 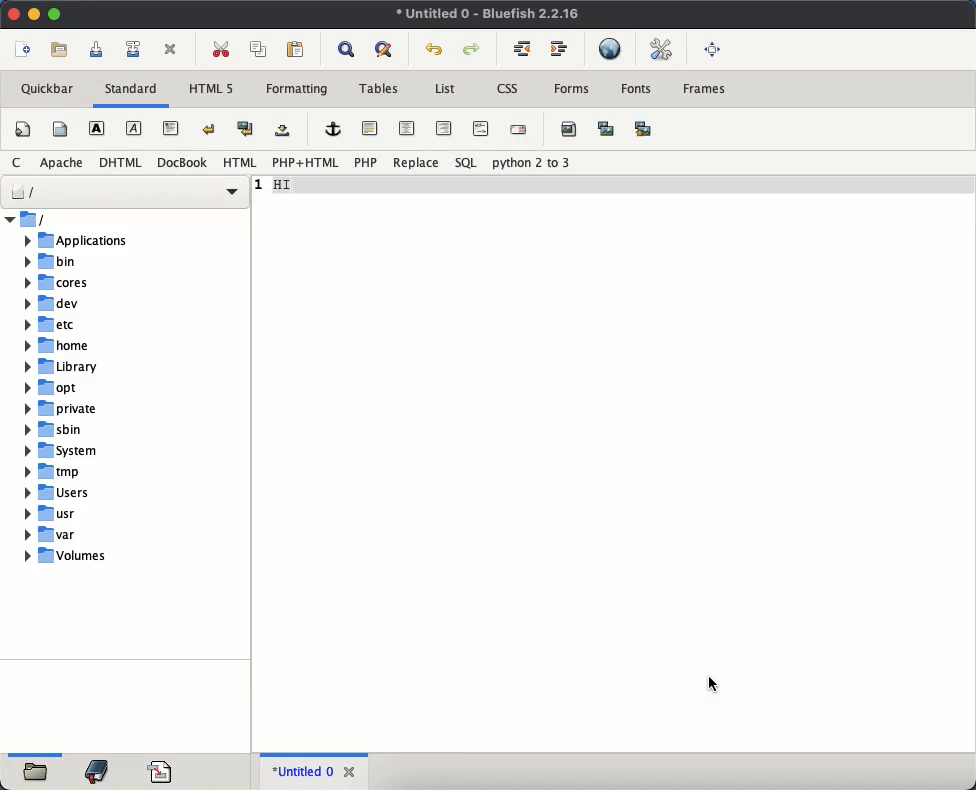 What do you see at coordinates (98, 772) in the screenshot?
I see `bookmark` at bounding box center [98, 772].